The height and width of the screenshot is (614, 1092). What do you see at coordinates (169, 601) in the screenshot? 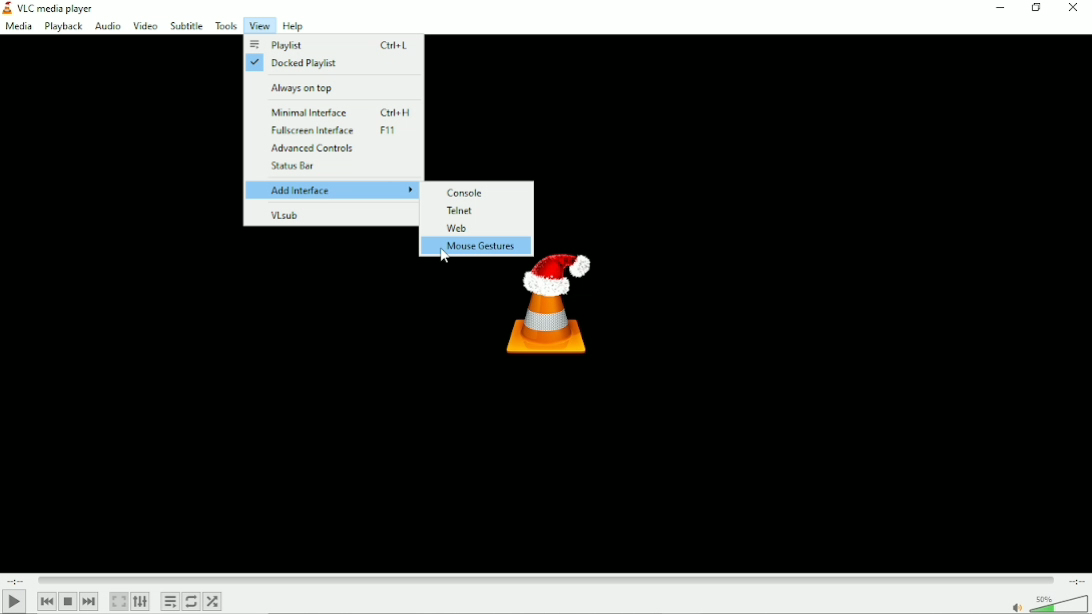
I see `Toggle playlist` at bounding box center [169, 601].